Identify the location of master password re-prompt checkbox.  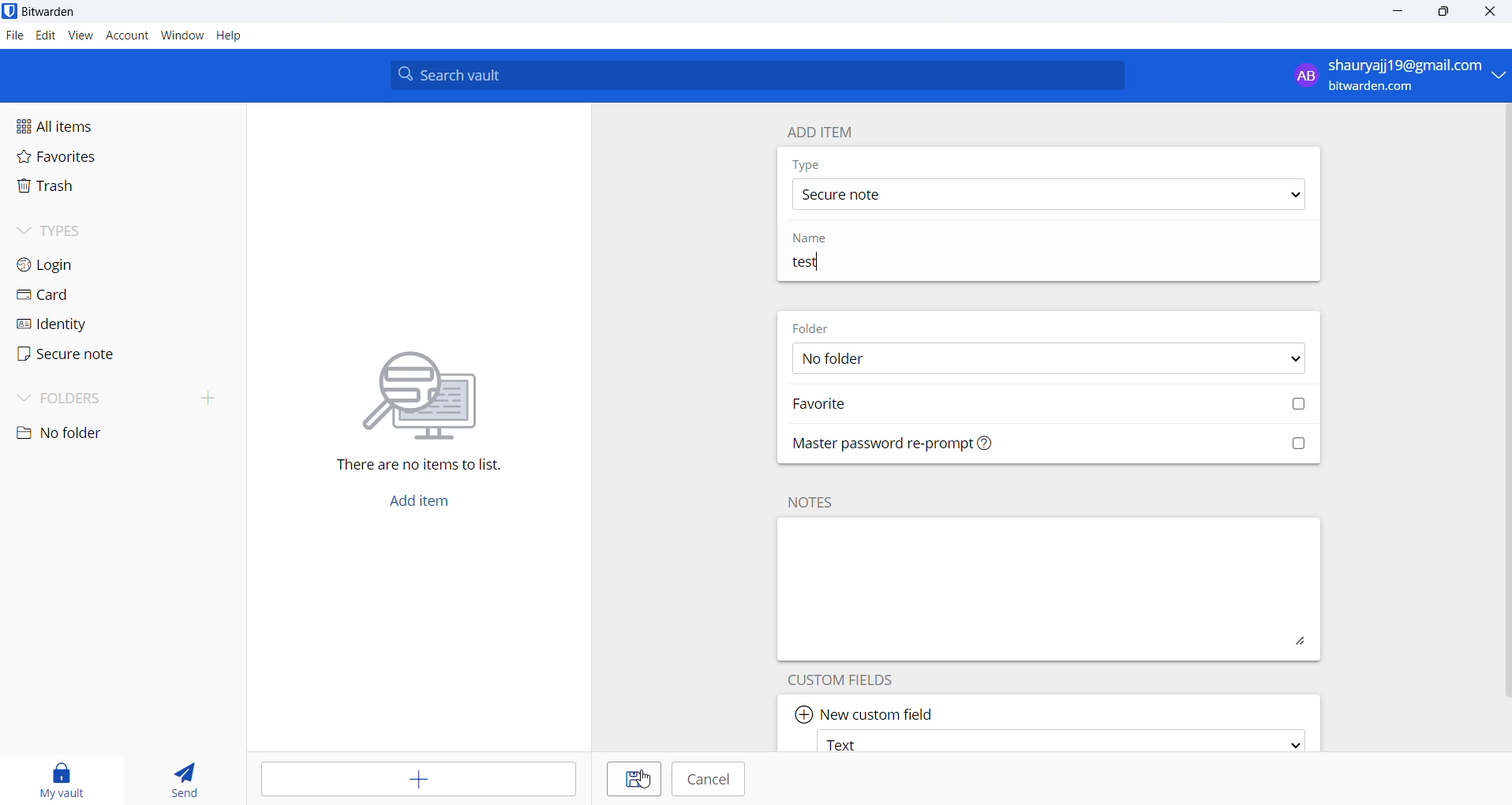
(1054, 446).